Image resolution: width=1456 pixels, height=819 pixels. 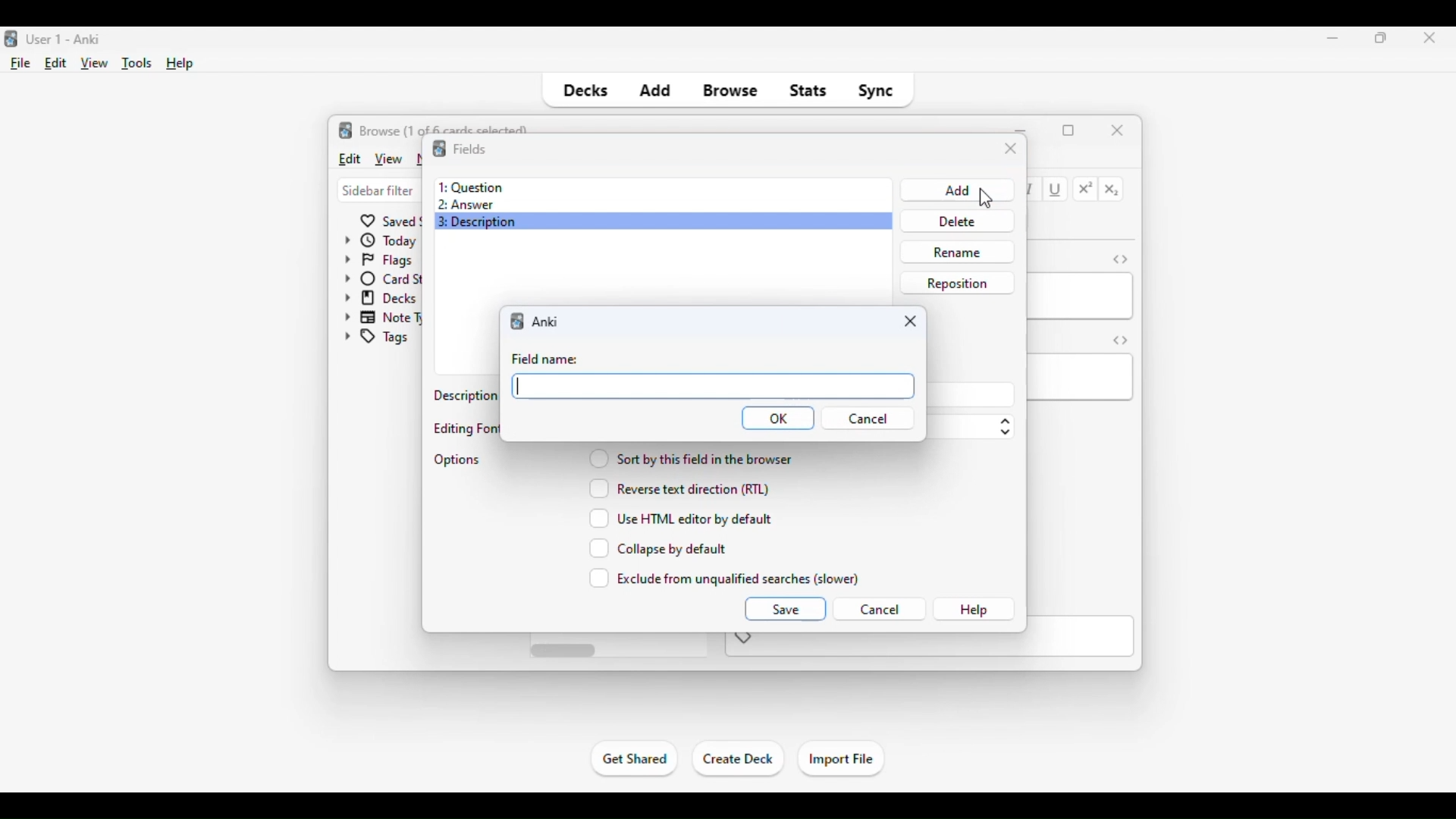 What do you see at coordinates (21, 64) in the screenshot?
I see `file` at bounding box center [21, 64].